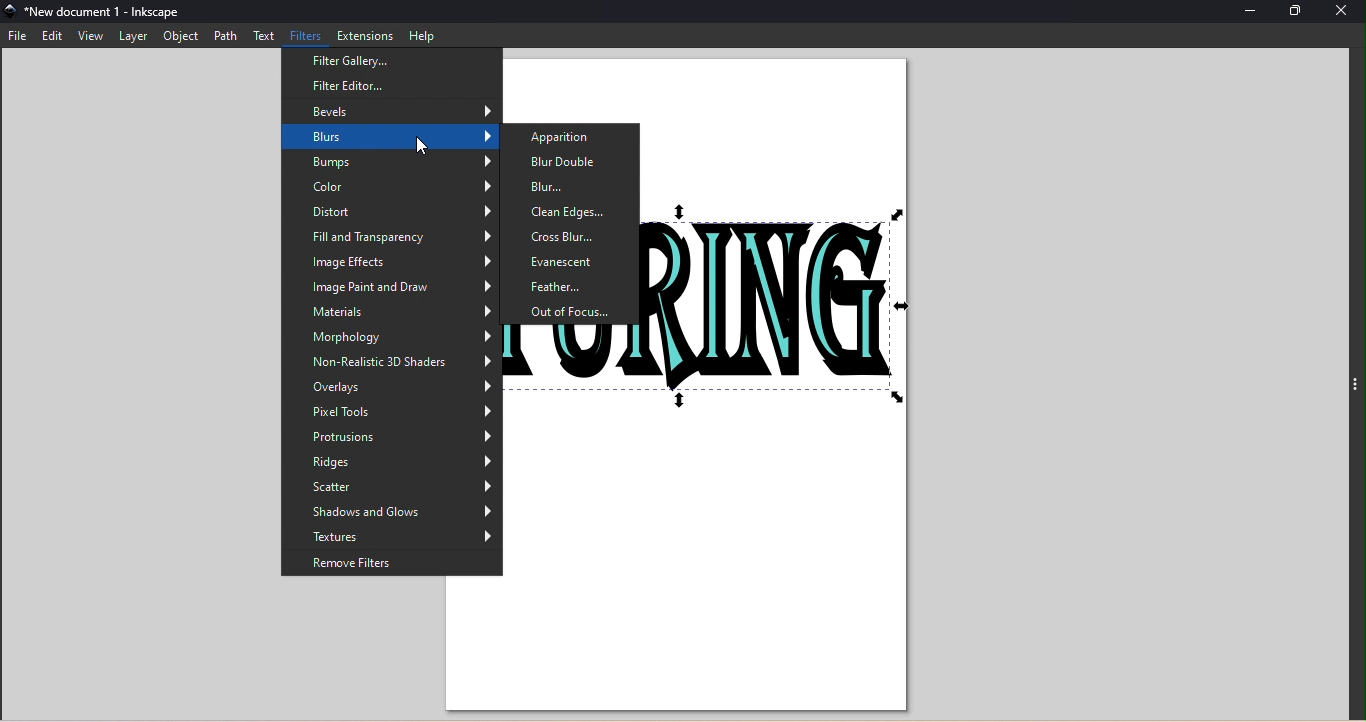 The width and height of the screenshot is (1366, 722). Describe the element at coordinates (1295, 12) in the screenshot. I see `Maximize` at that location.